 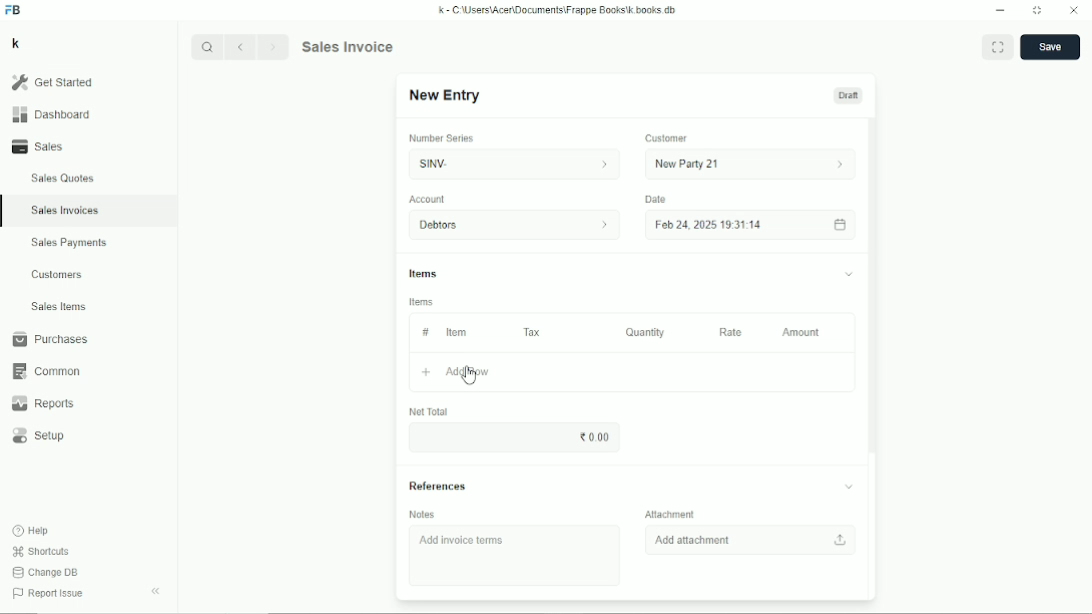 What do you see at coordinates (42, 404) in the screenshot?
I see `Reports` at bounding box center [42, 404].